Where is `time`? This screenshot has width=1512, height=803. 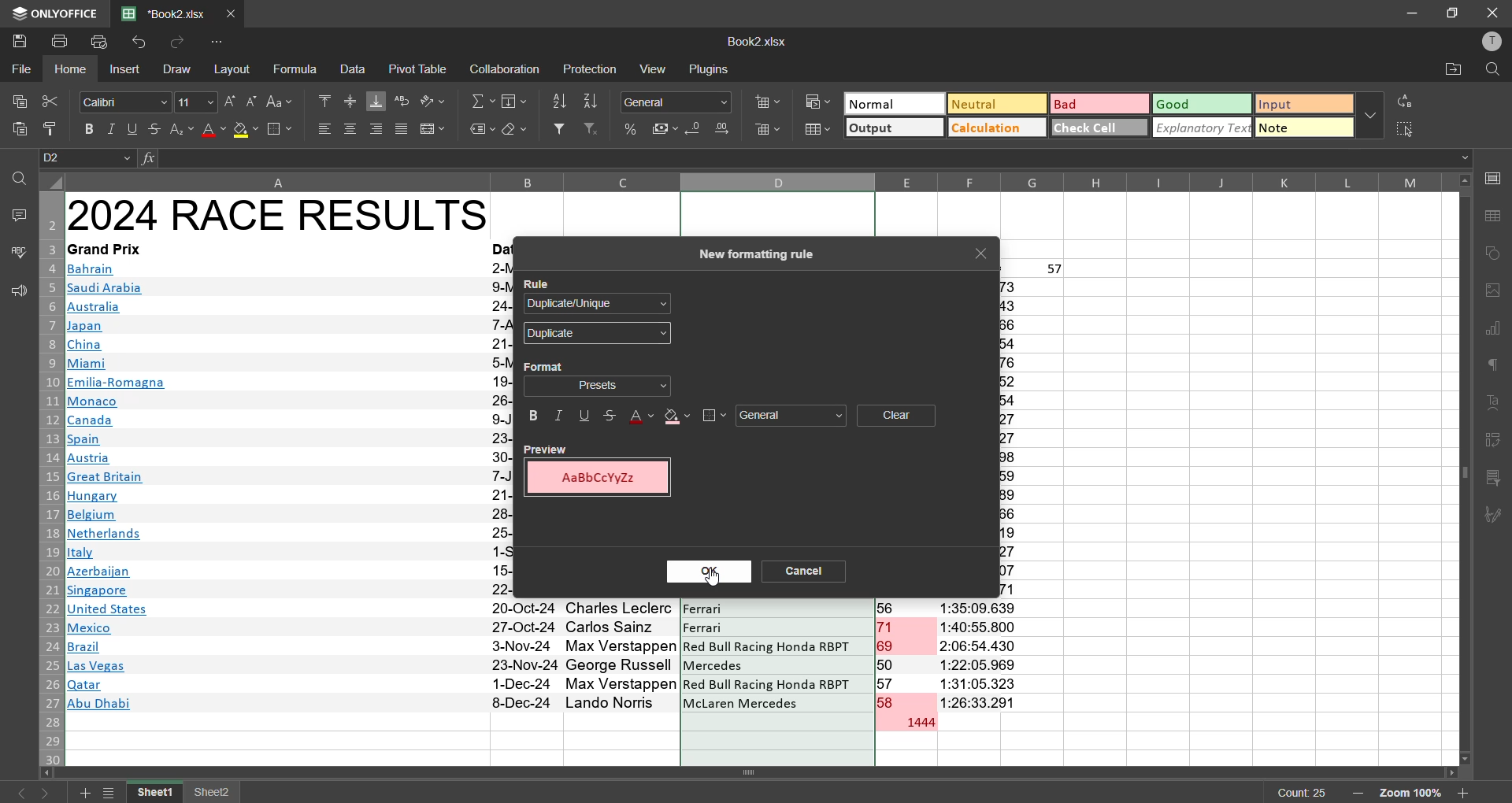
time is located at coordinates (982, 654).